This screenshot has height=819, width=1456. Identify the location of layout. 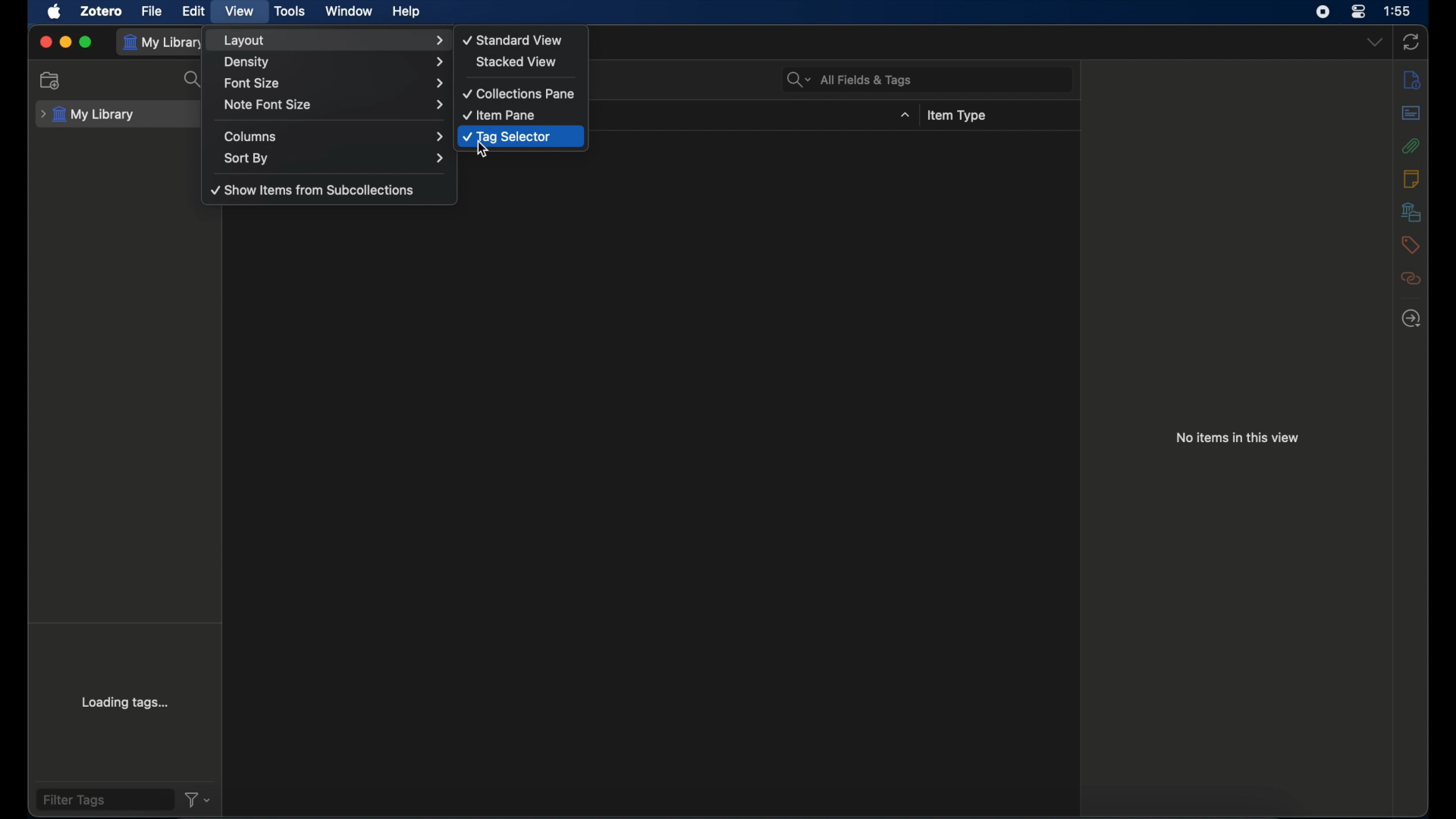
(334, 40).